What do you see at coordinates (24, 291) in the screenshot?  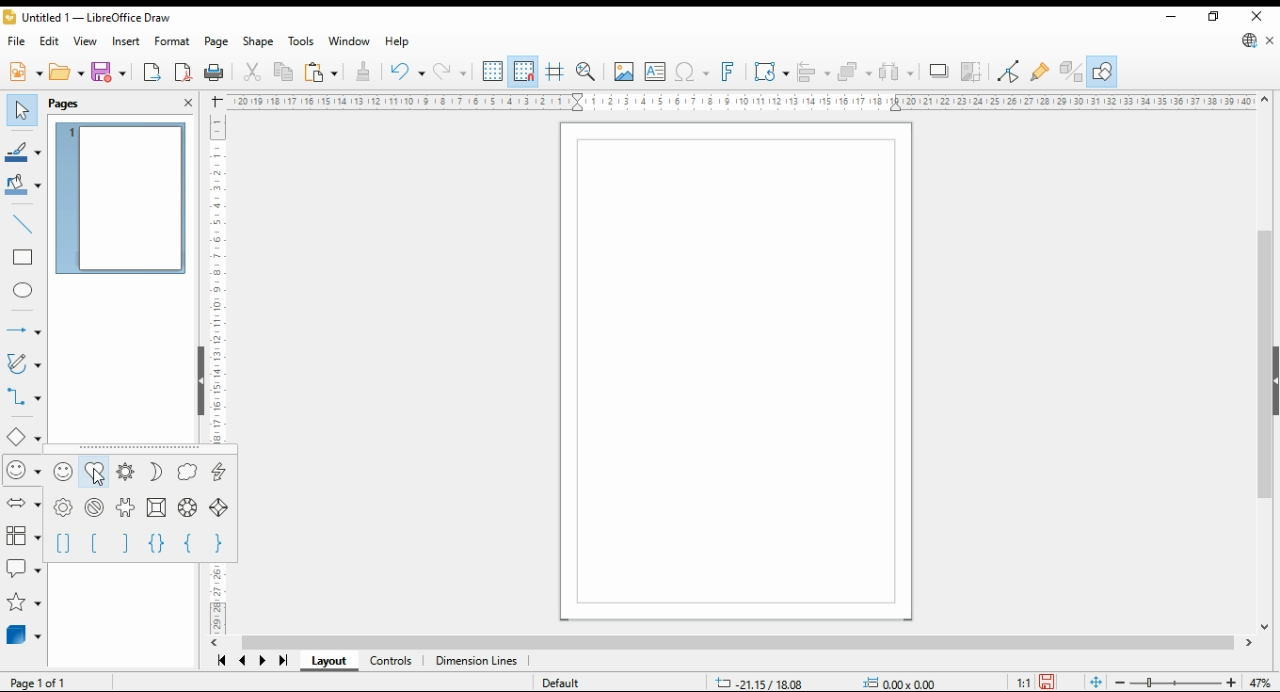 I see `ellipe` at bounding box center [24, 291].